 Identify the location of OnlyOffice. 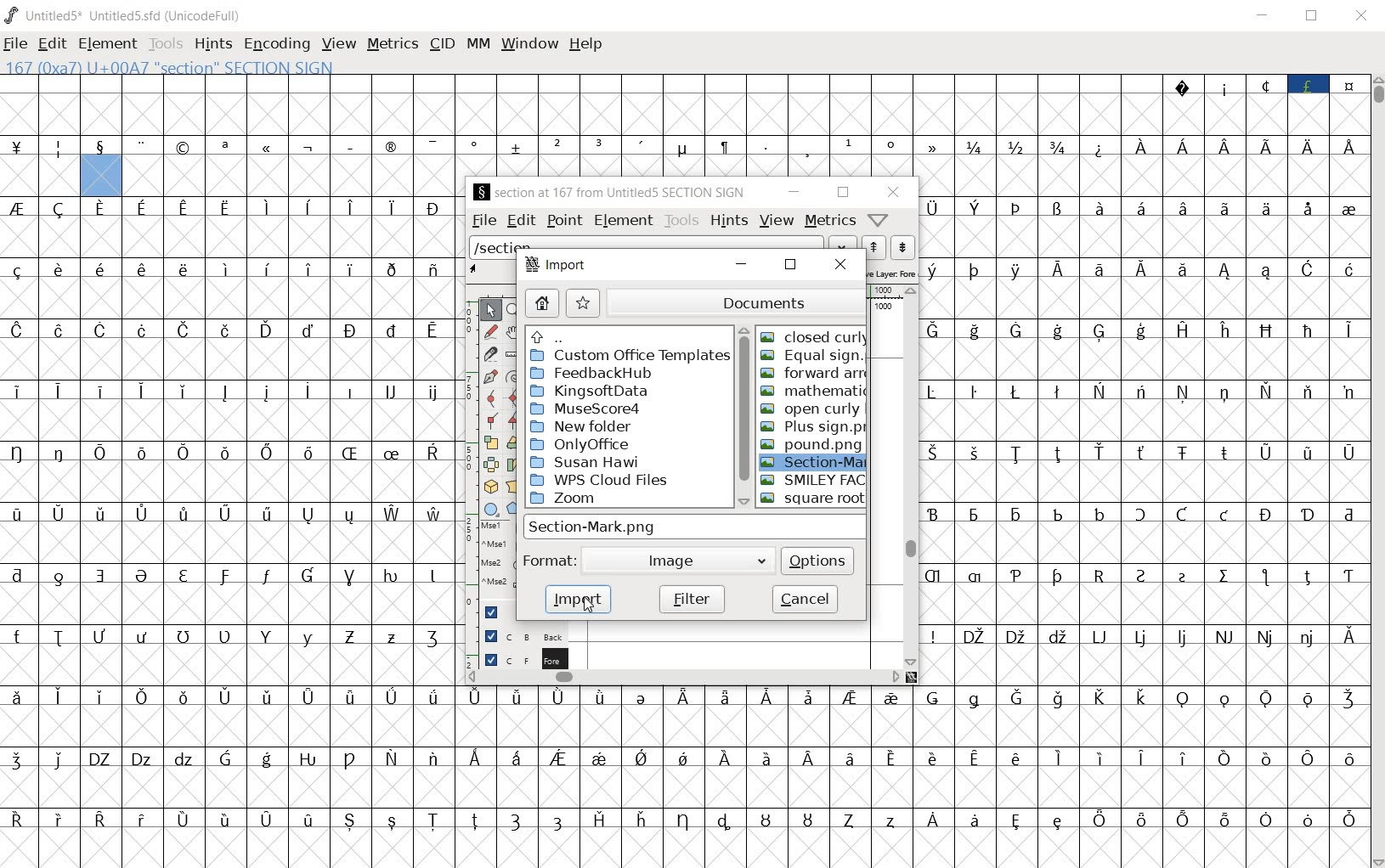
(583, 444).